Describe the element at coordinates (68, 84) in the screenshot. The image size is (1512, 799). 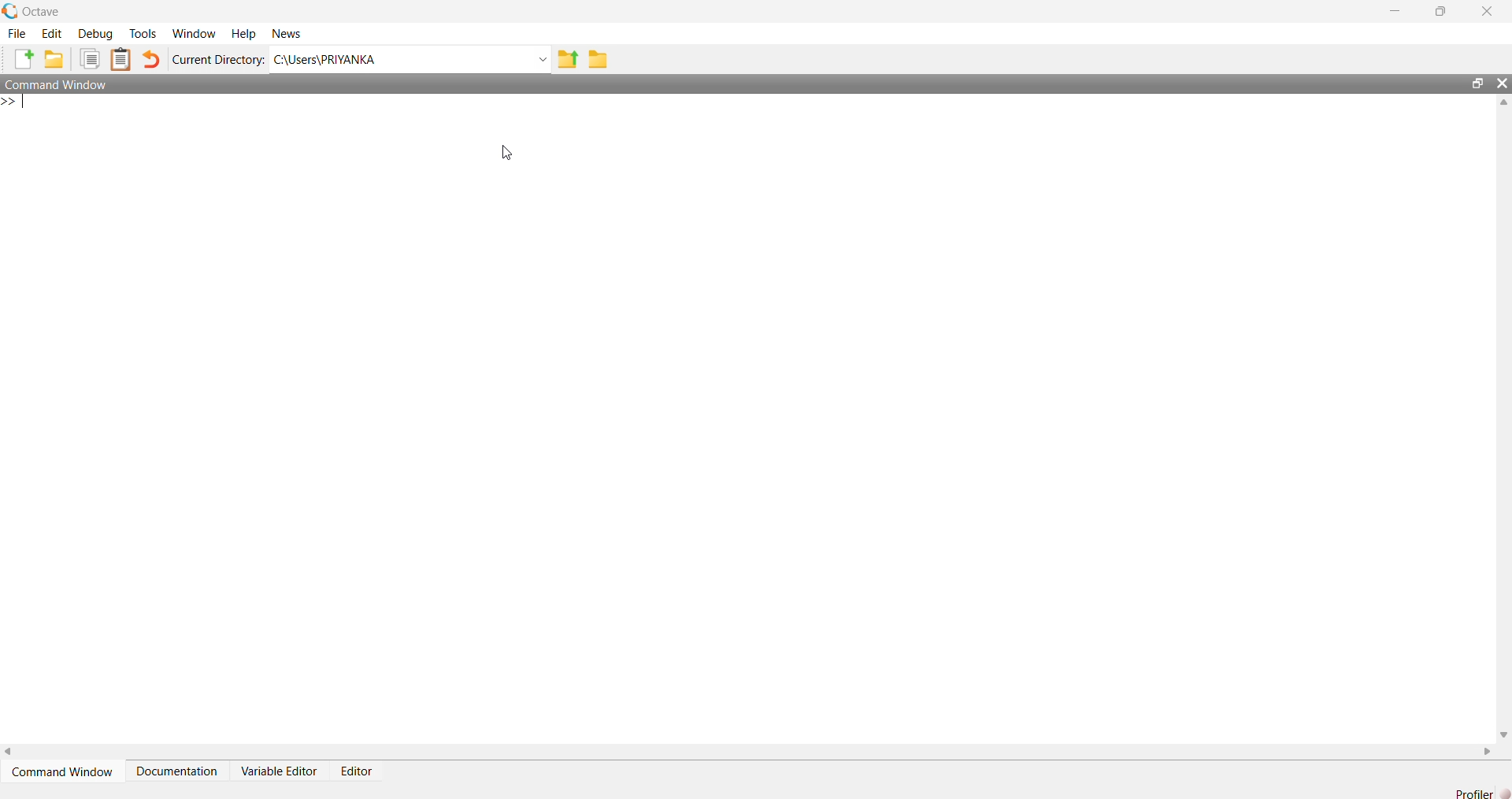
I see `Command Window` at that location.